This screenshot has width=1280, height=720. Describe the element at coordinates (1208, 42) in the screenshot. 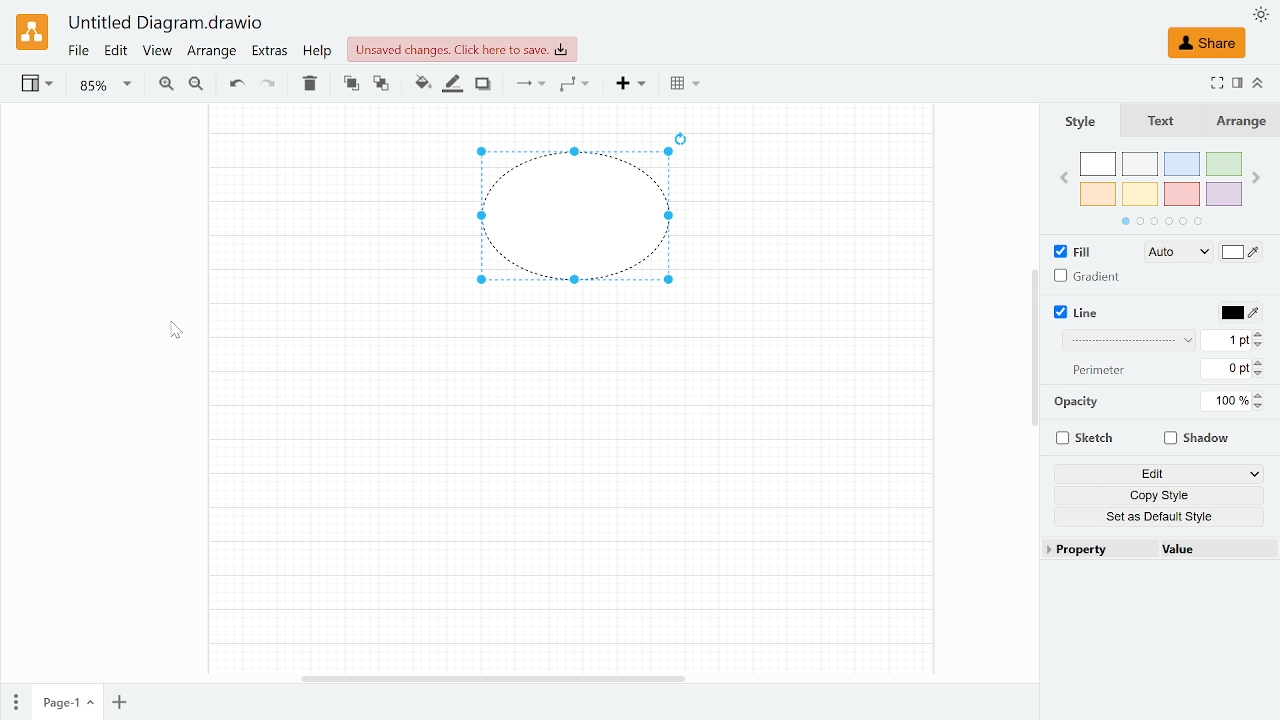

I see `Share` at that location.